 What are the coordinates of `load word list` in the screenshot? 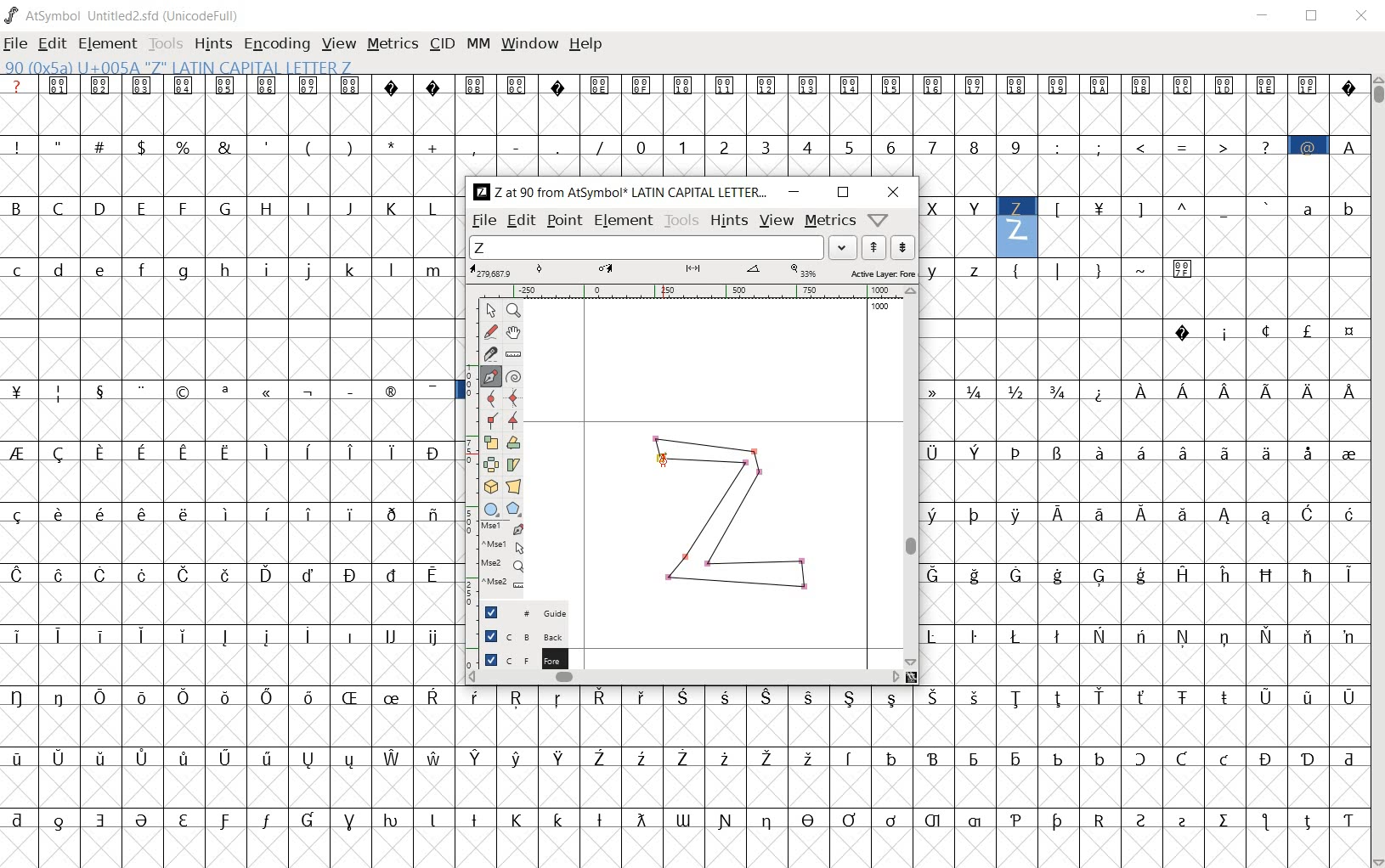 It's located at (665, 247).